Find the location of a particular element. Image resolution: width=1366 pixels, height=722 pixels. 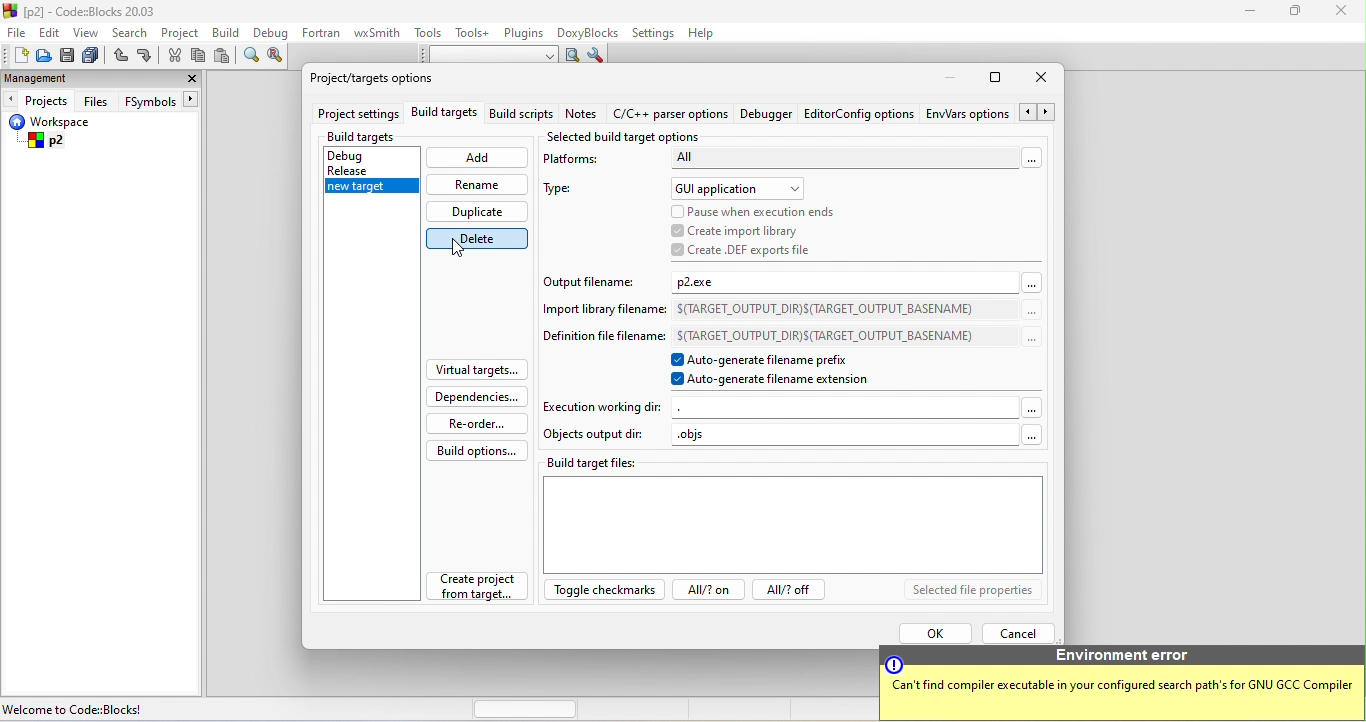

c/c++ parser option is located at coordinates (670, 115).